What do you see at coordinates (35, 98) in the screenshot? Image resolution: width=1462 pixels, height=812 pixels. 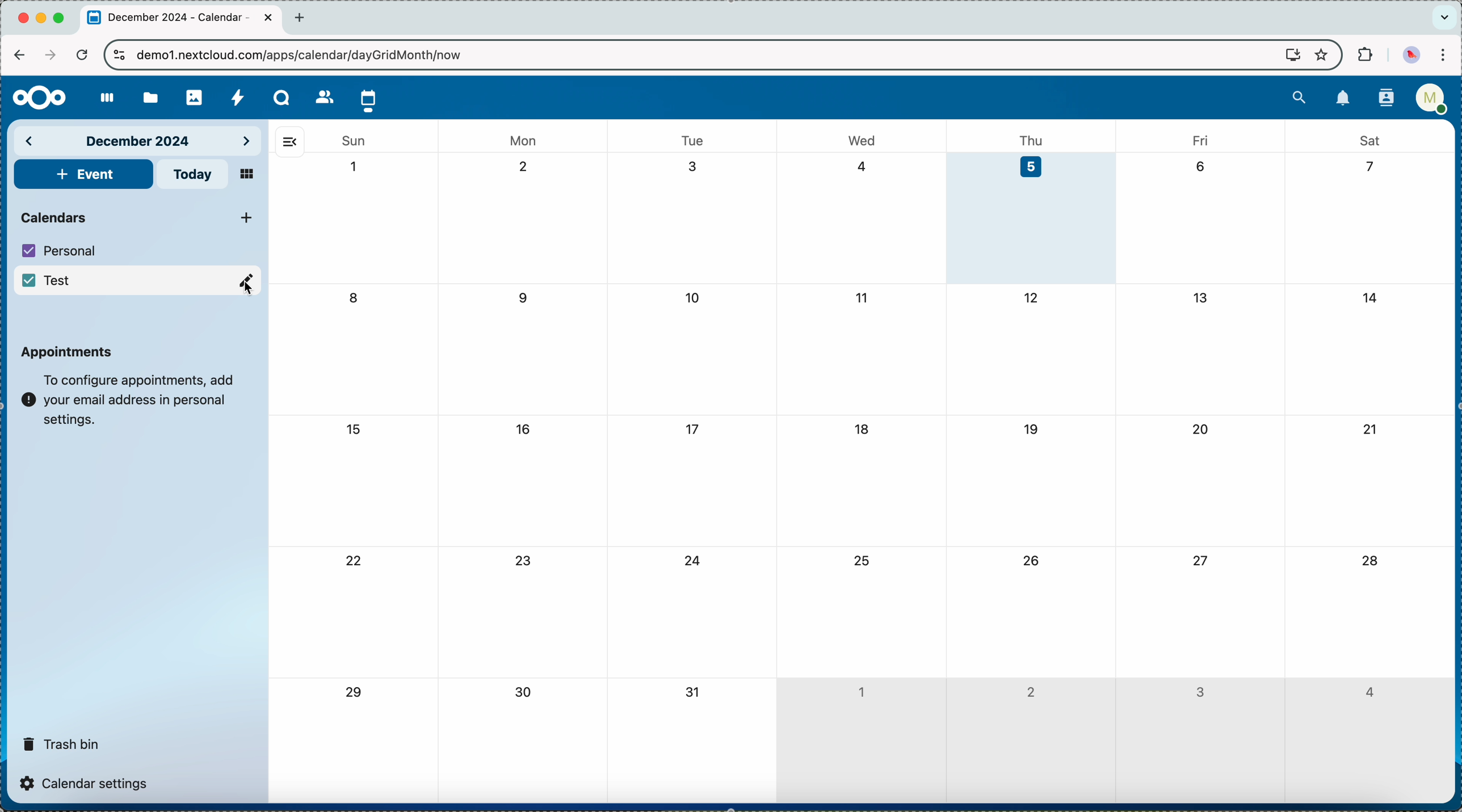 I see `Nextcloud logo` at bounding box center [35, 98].